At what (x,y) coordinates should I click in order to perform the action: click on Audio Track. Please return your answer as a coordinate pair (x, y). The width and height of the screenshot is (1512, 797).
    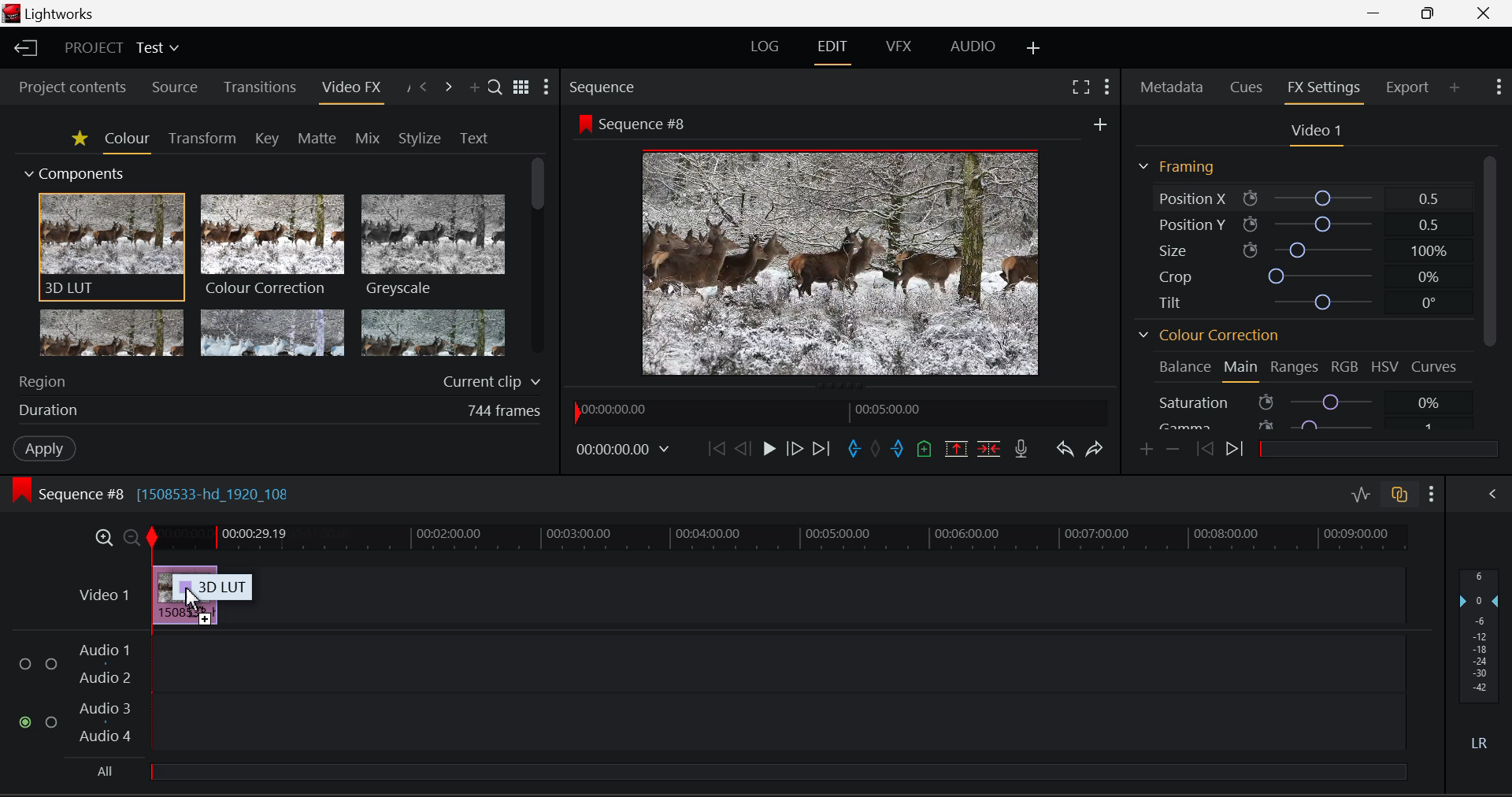
    Looking at the image, I should click on (779, 720).